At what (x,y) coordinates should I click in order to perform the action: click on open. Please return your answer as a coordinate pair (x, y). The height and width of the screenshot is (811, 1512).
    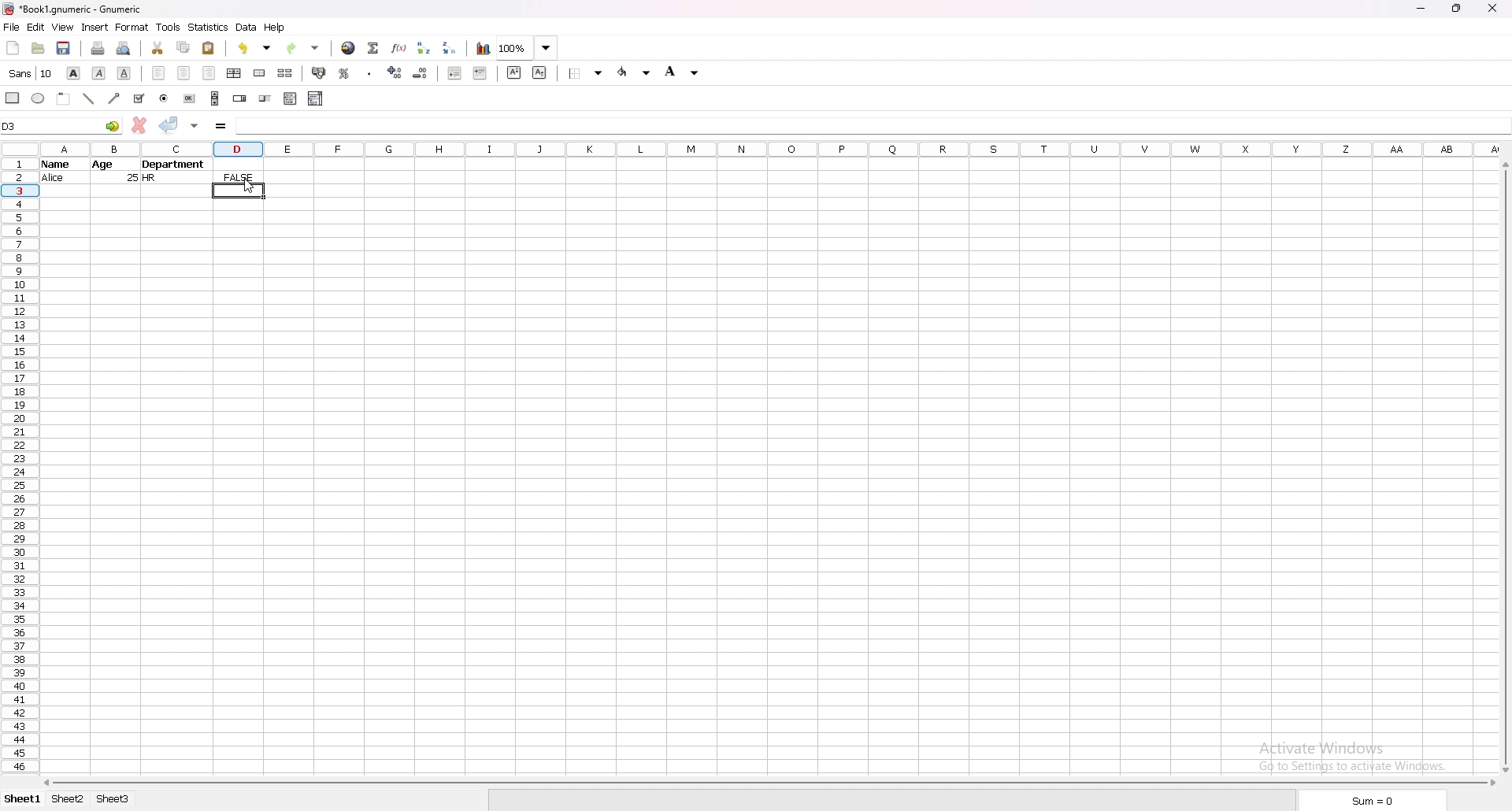
    Looking at the image, I should click on (39, 49).